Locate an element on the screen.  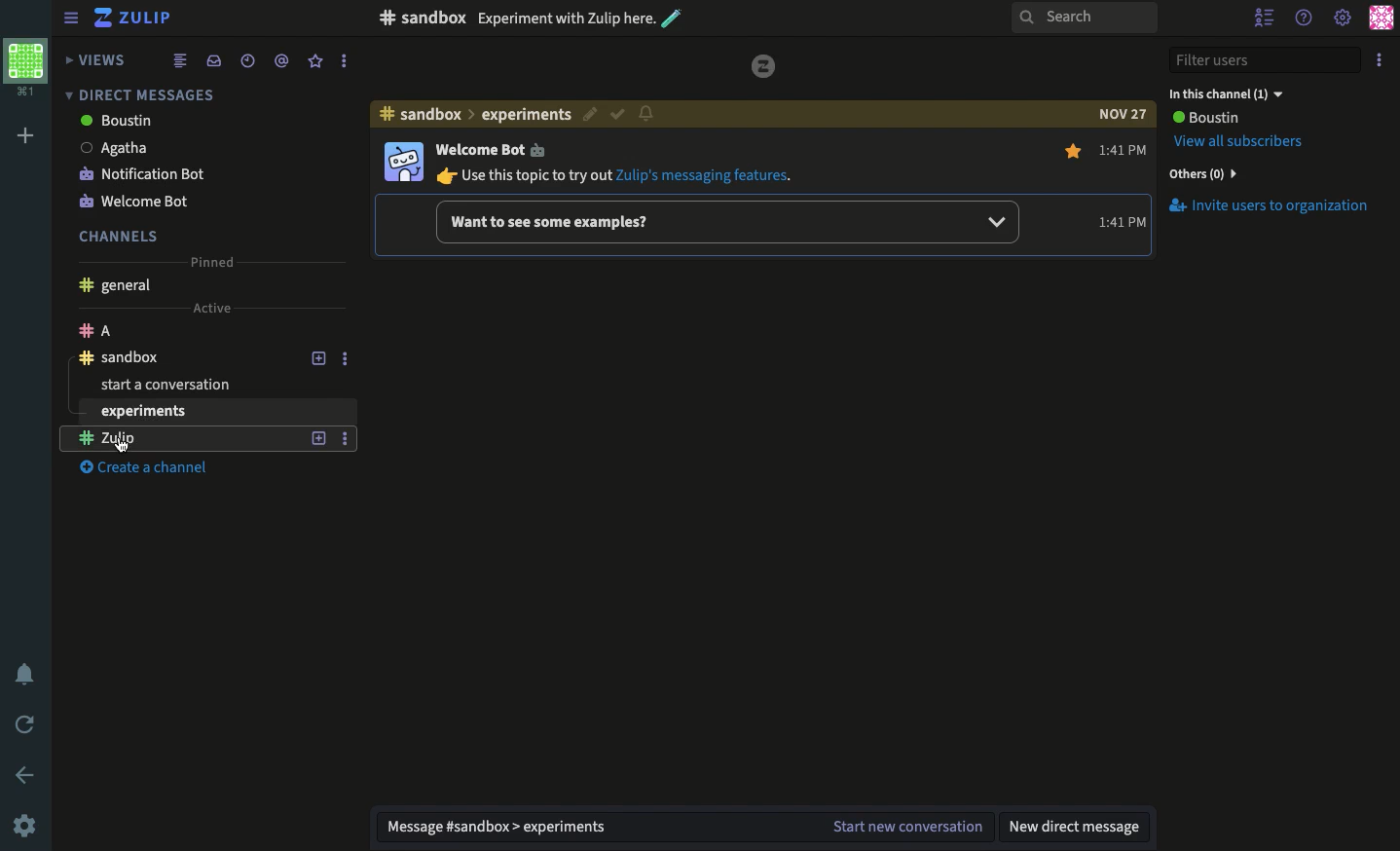
channel zulip is located at coordinates (208, 413).